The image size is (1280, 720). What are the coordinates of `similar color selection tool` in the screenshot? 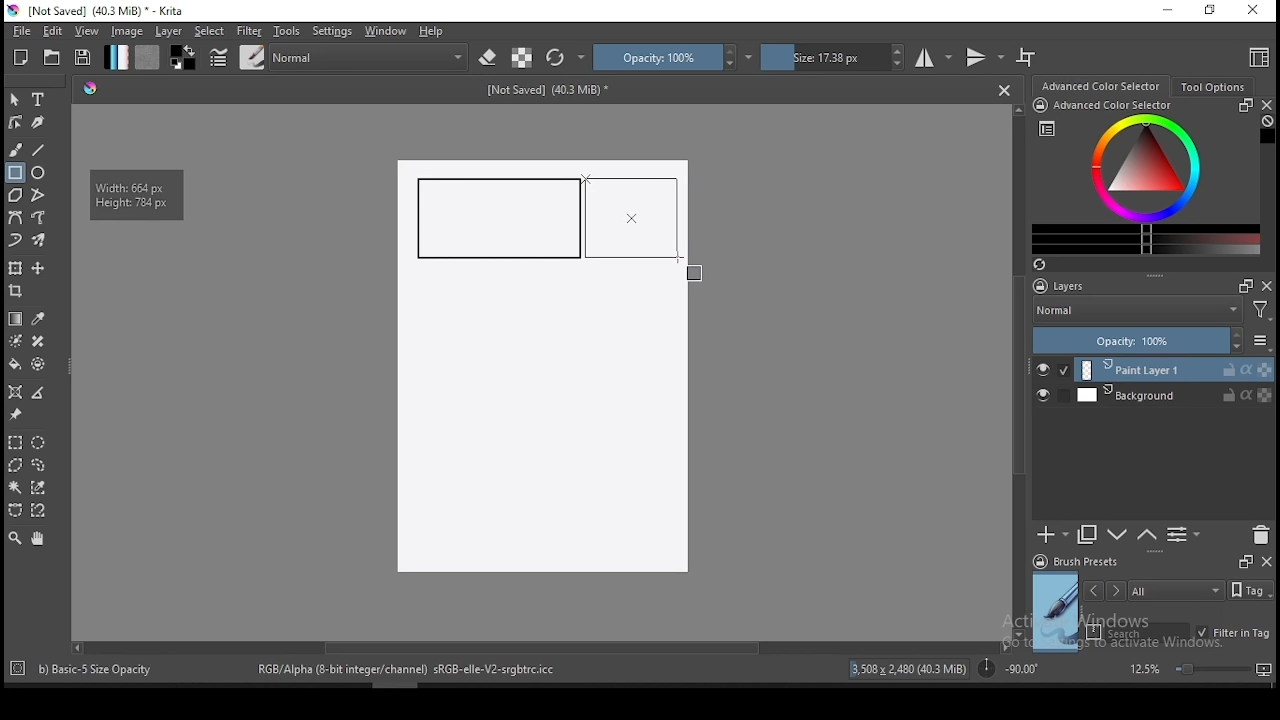 It's located at (41, 487).